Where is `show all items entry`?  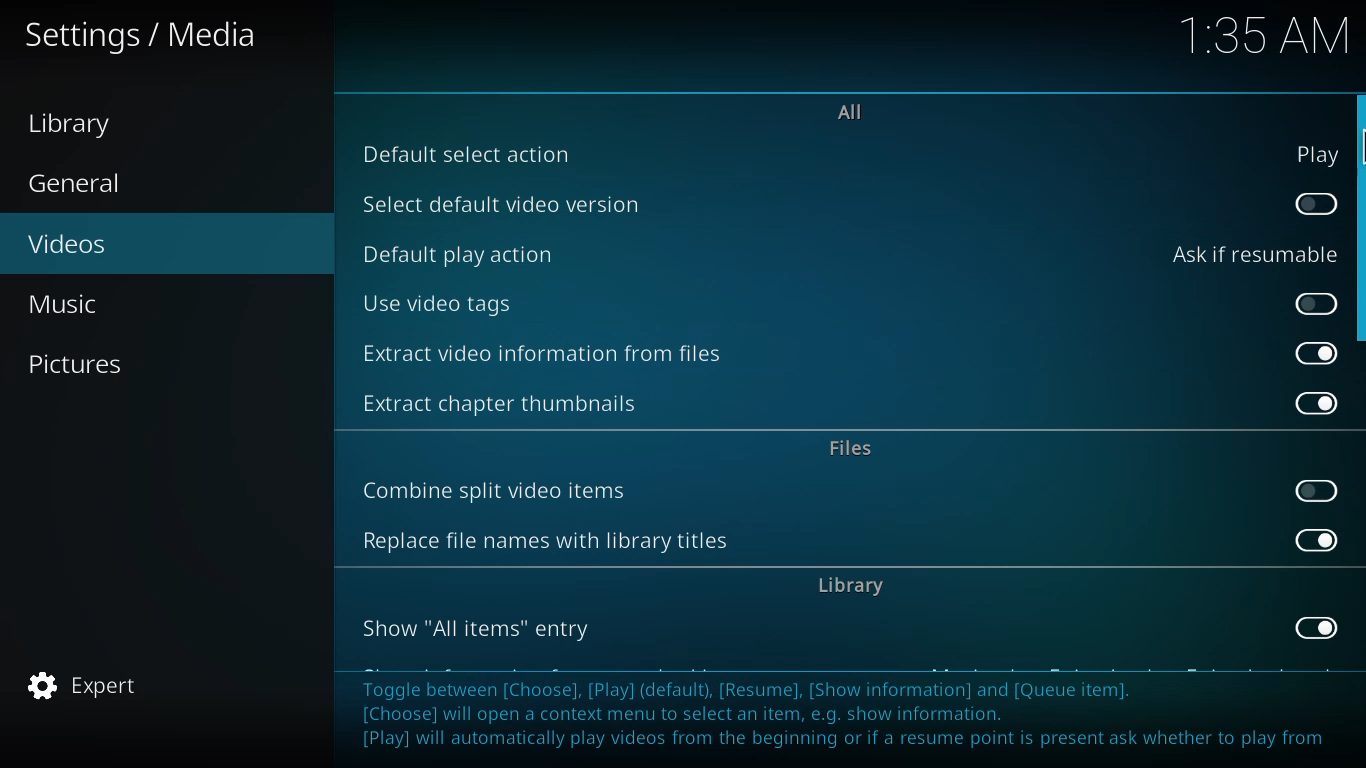 show all items entry is located at coordinates (480, 629).